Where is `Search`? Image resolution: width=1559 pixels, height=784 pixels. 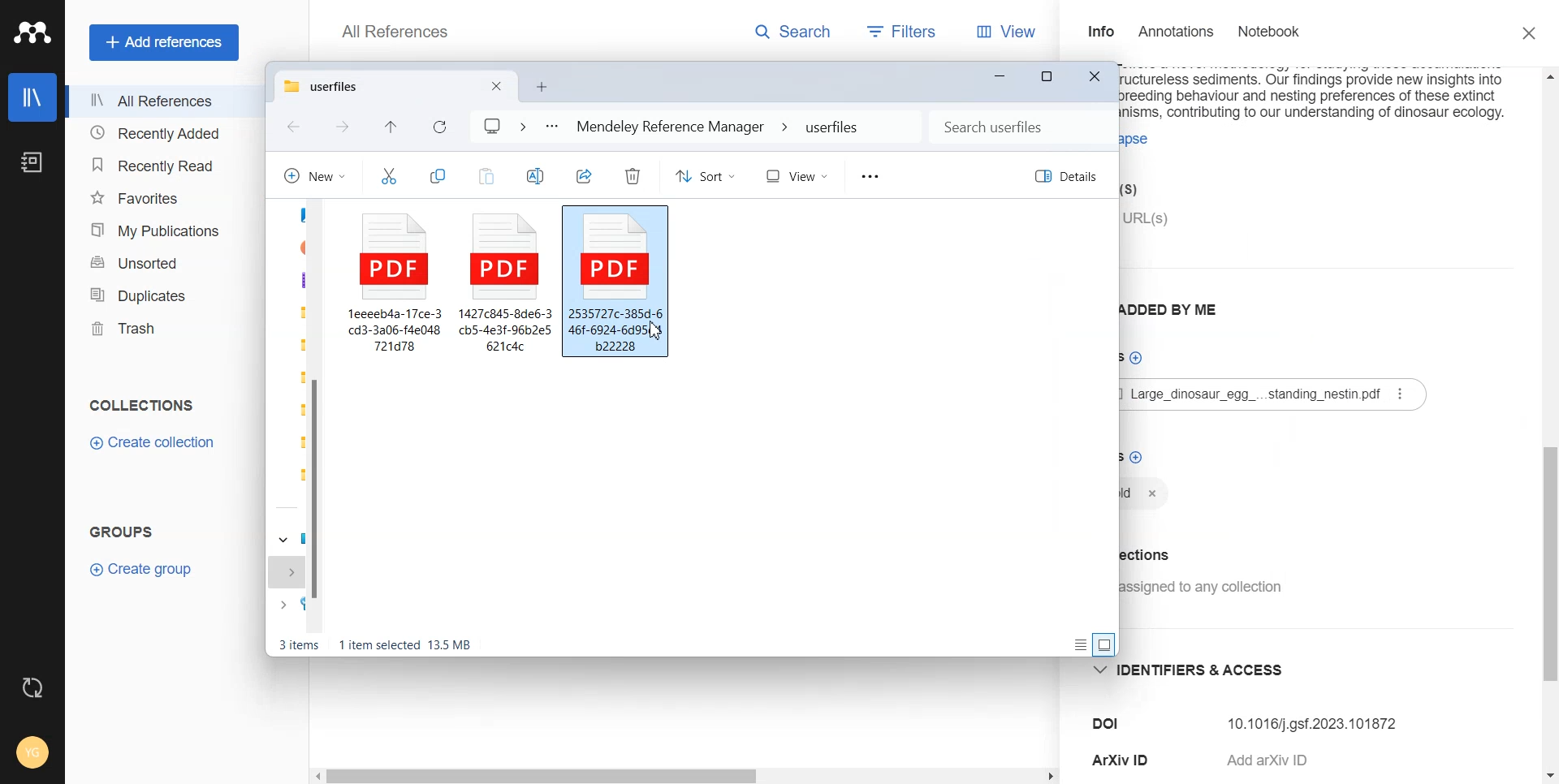 Search is located at coordinates (796, 33).